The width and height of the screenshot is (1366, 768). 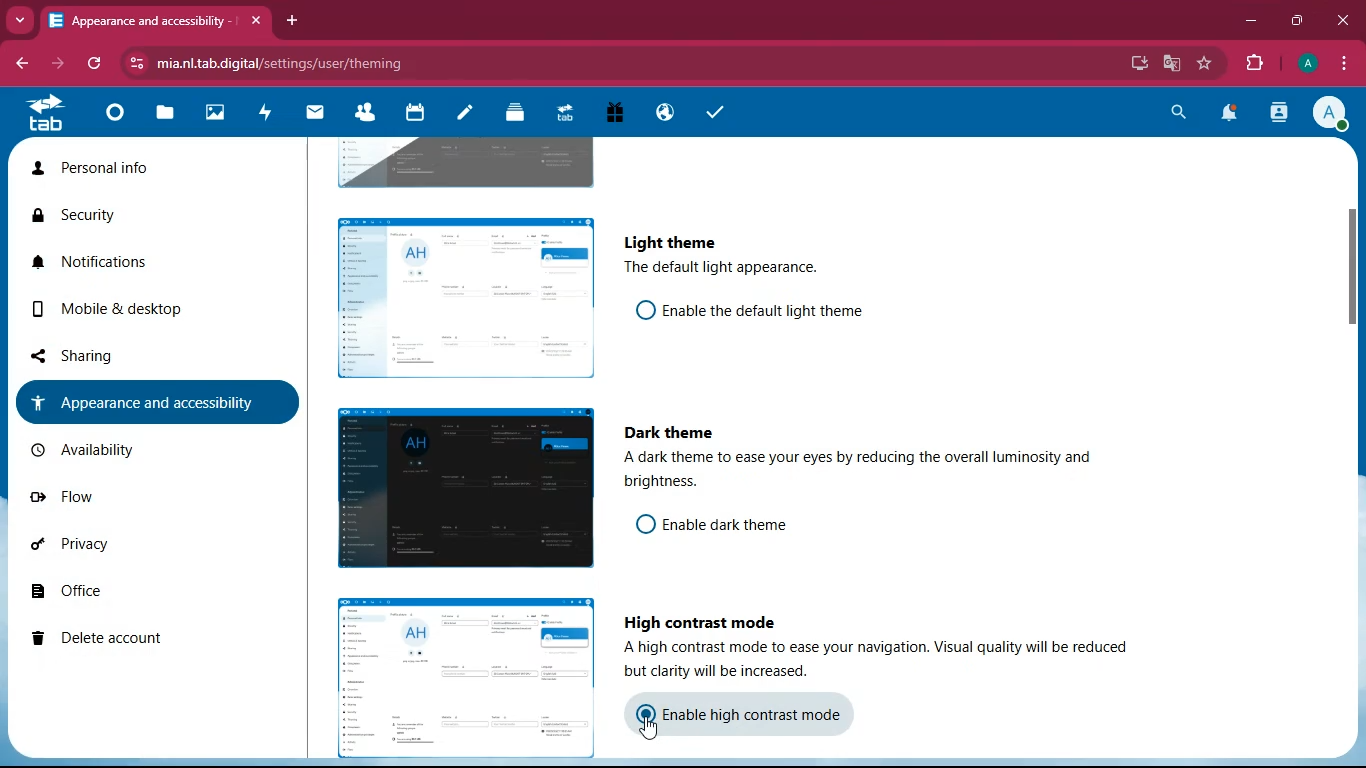 What do you see at coordinates (610, 114) in the screenshot?
I see `gift` at bounding box center [610, 114].